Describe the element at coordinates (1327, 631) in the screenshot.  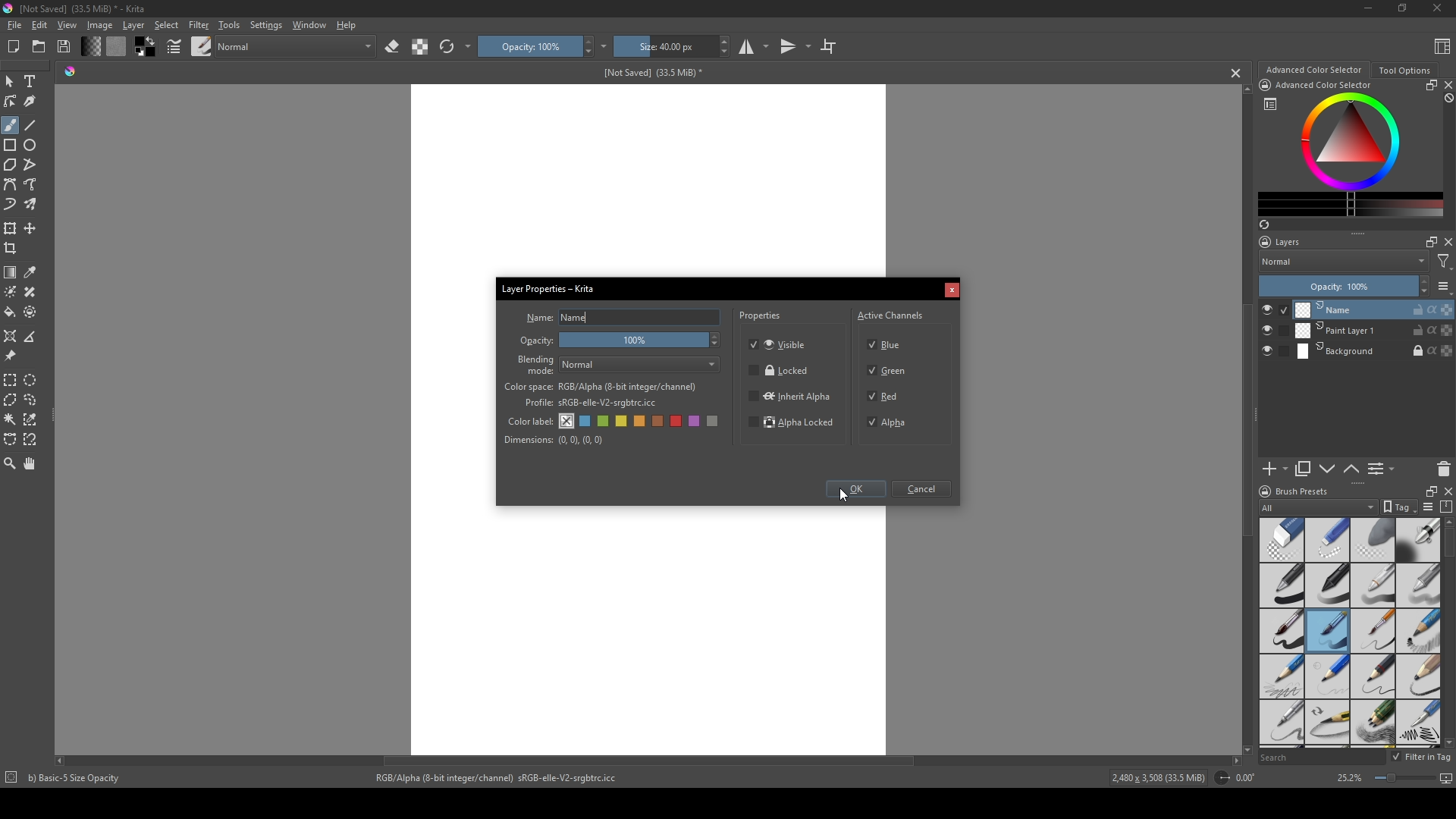
I see `medium brush` at that location.